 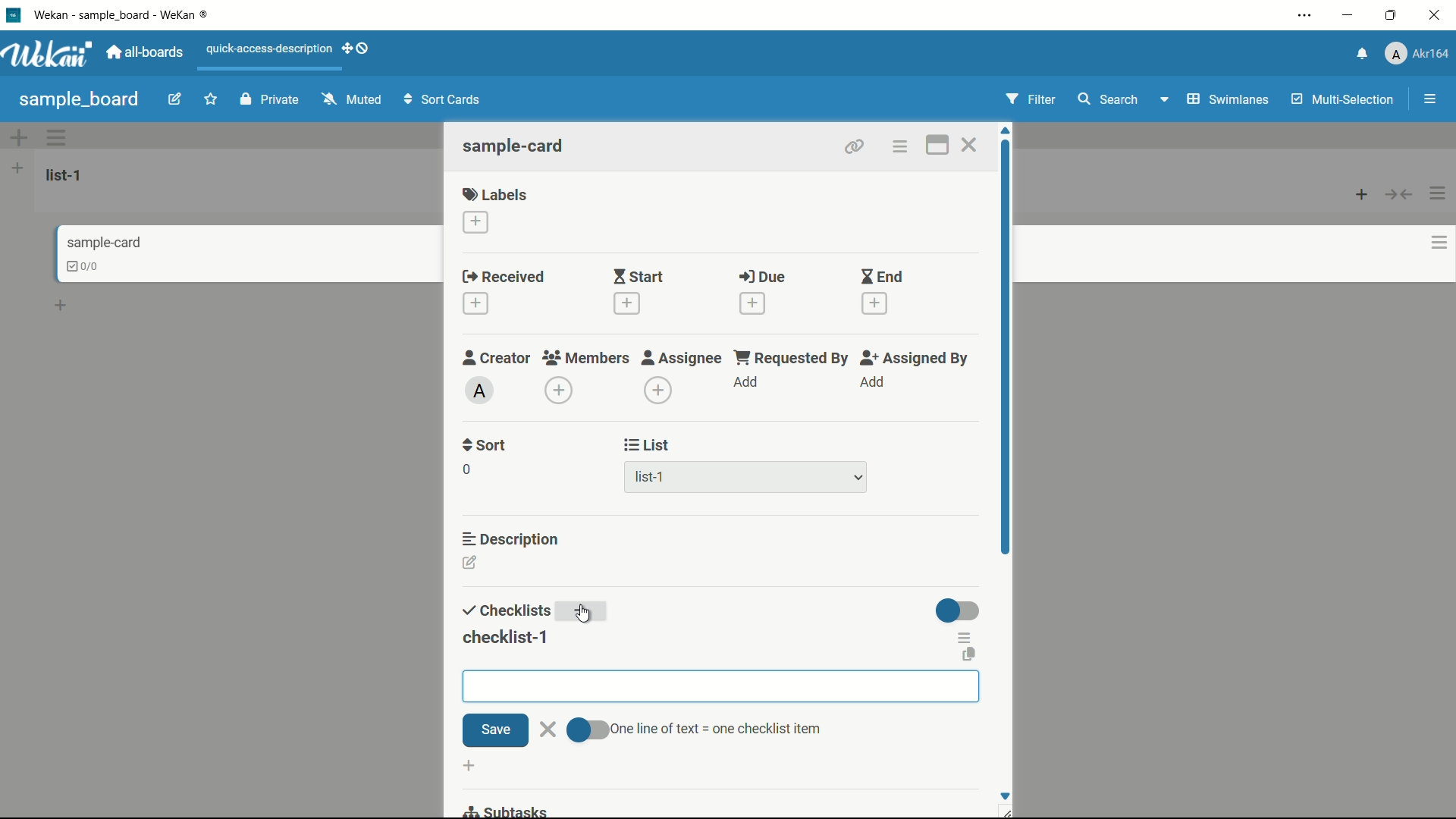 What do you see at coordinates (721, 686) in the screenshot?
I see `item name input bar` at bounding box center [721, 686].